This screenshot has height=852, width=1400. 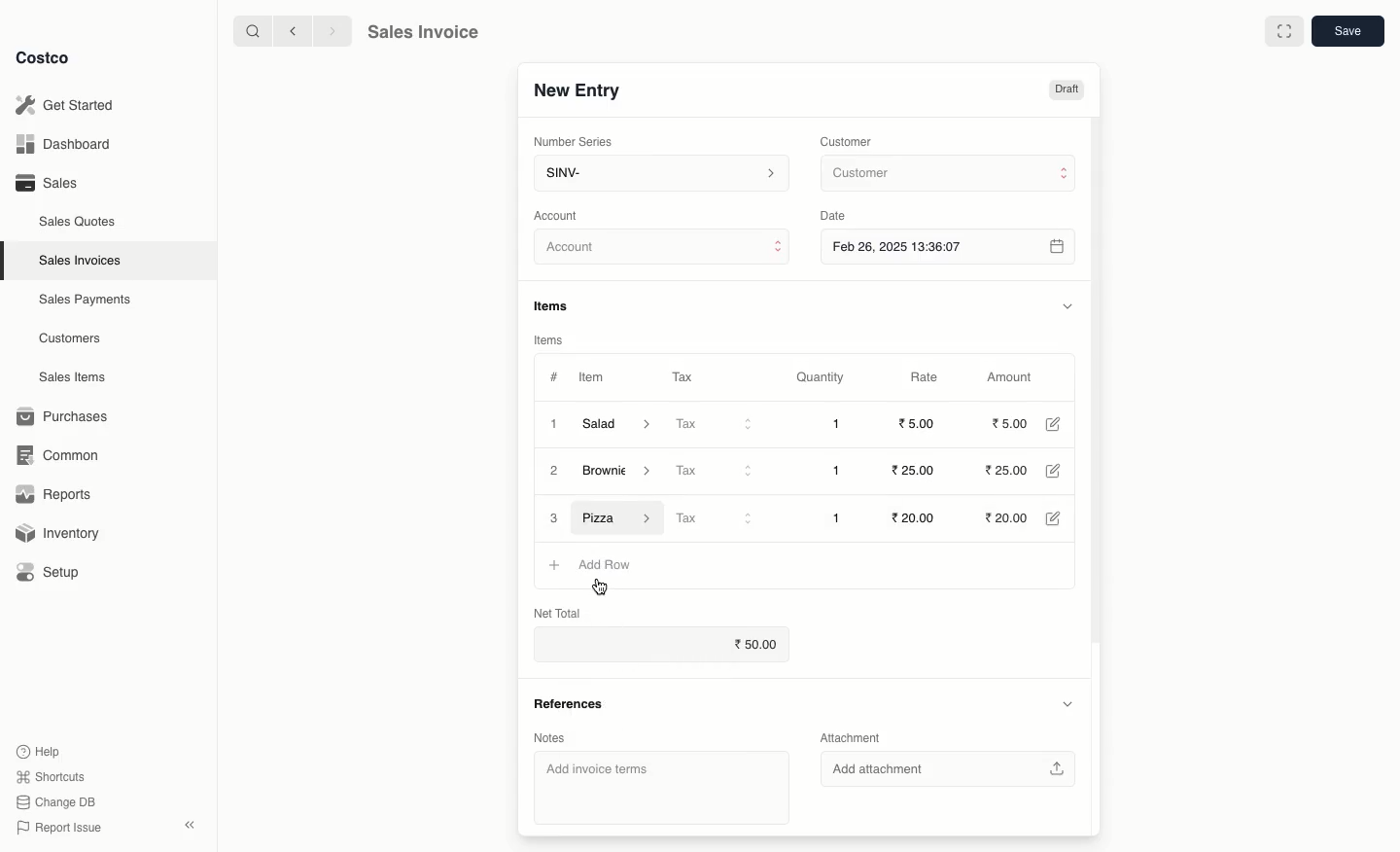 I want to click on 25.00, so click(x=1011, y=472).